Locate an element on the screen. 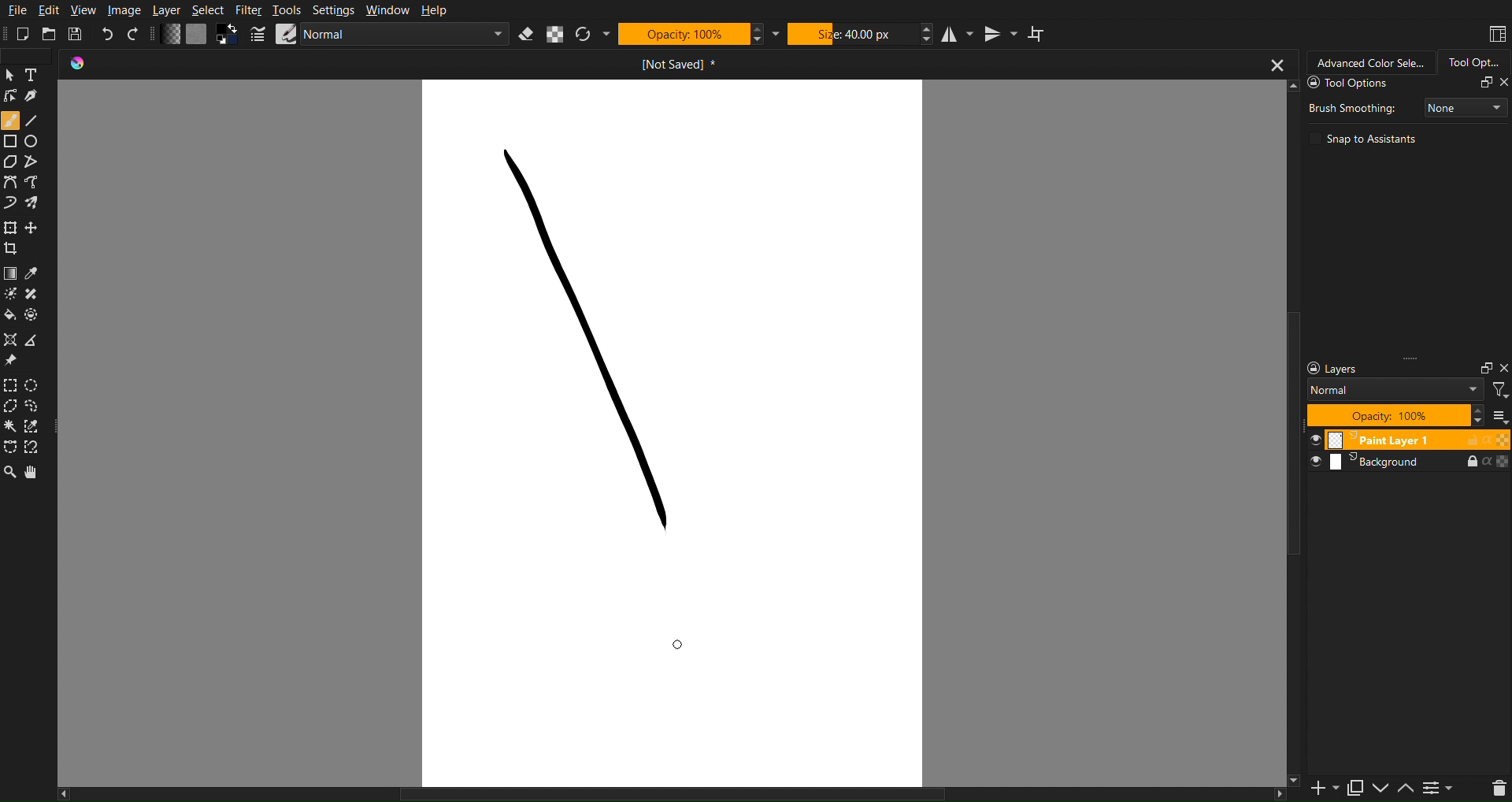  Brush is located at coordinates (9, 291).